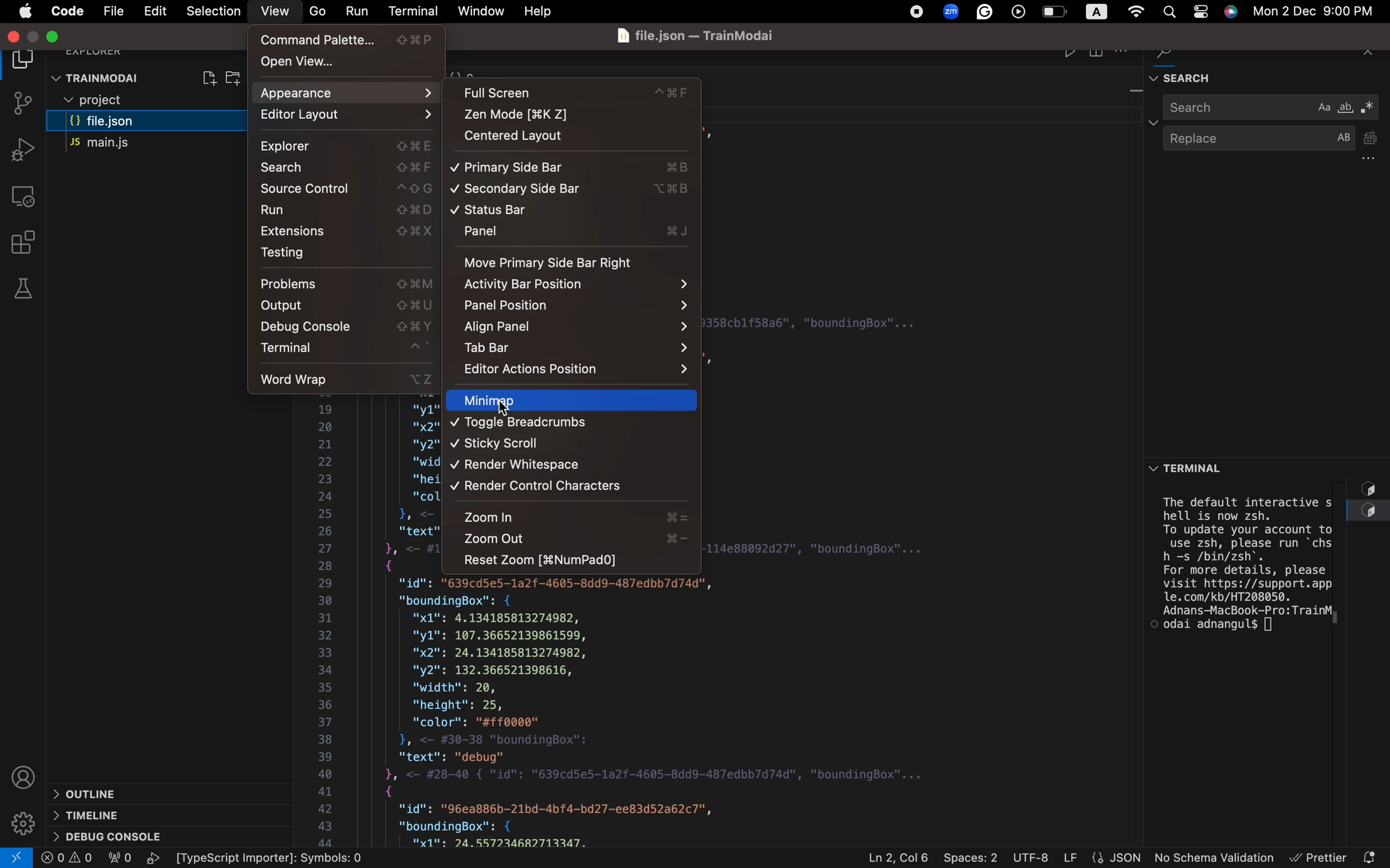 The image size is (1390, 868). What do you see at coordinates (346, 350) in the screenshot?
I see `terminal` at bounding box center [346, 350].